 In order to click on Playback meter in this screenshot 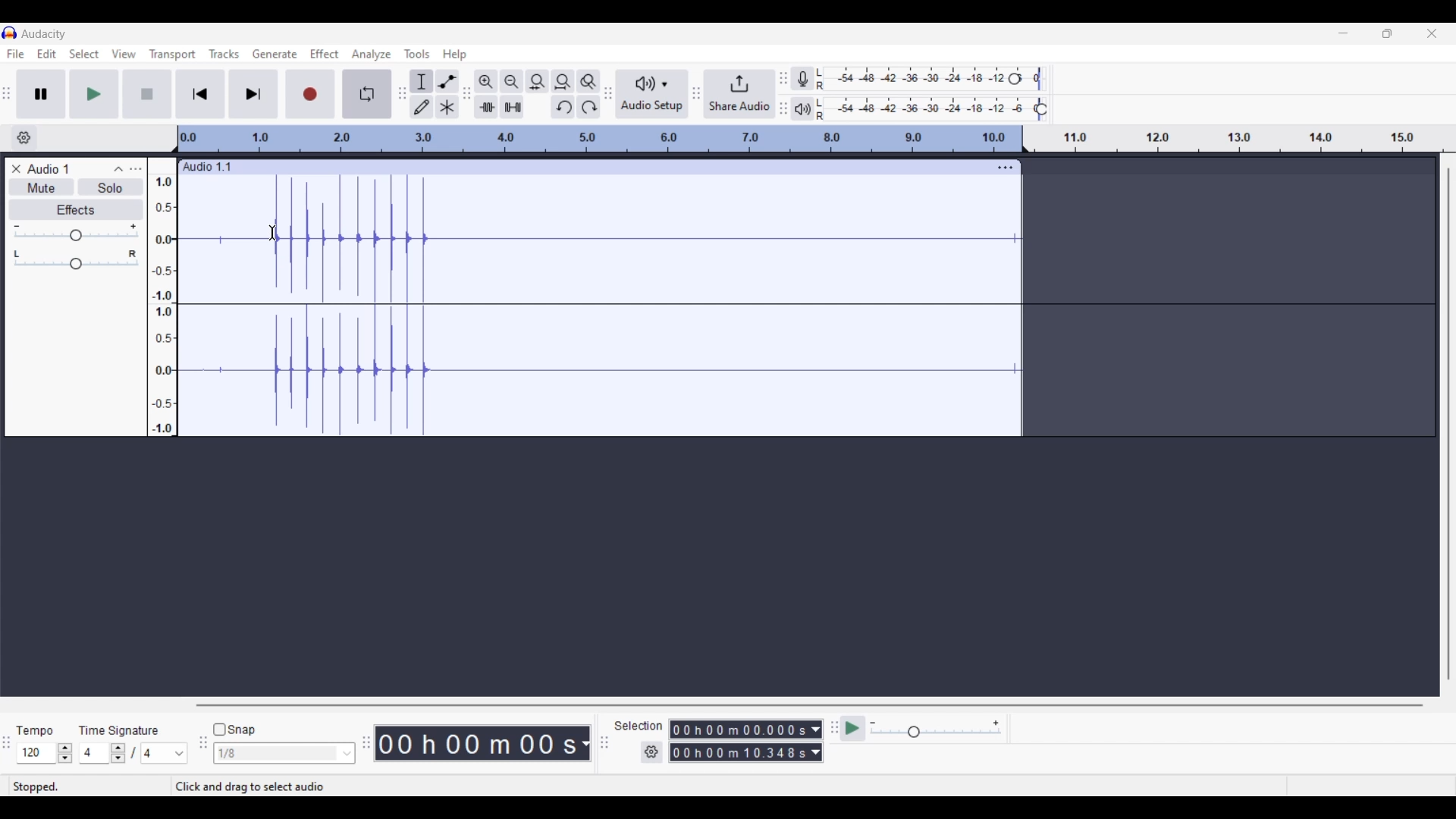, I will do `click(802, 109)`.